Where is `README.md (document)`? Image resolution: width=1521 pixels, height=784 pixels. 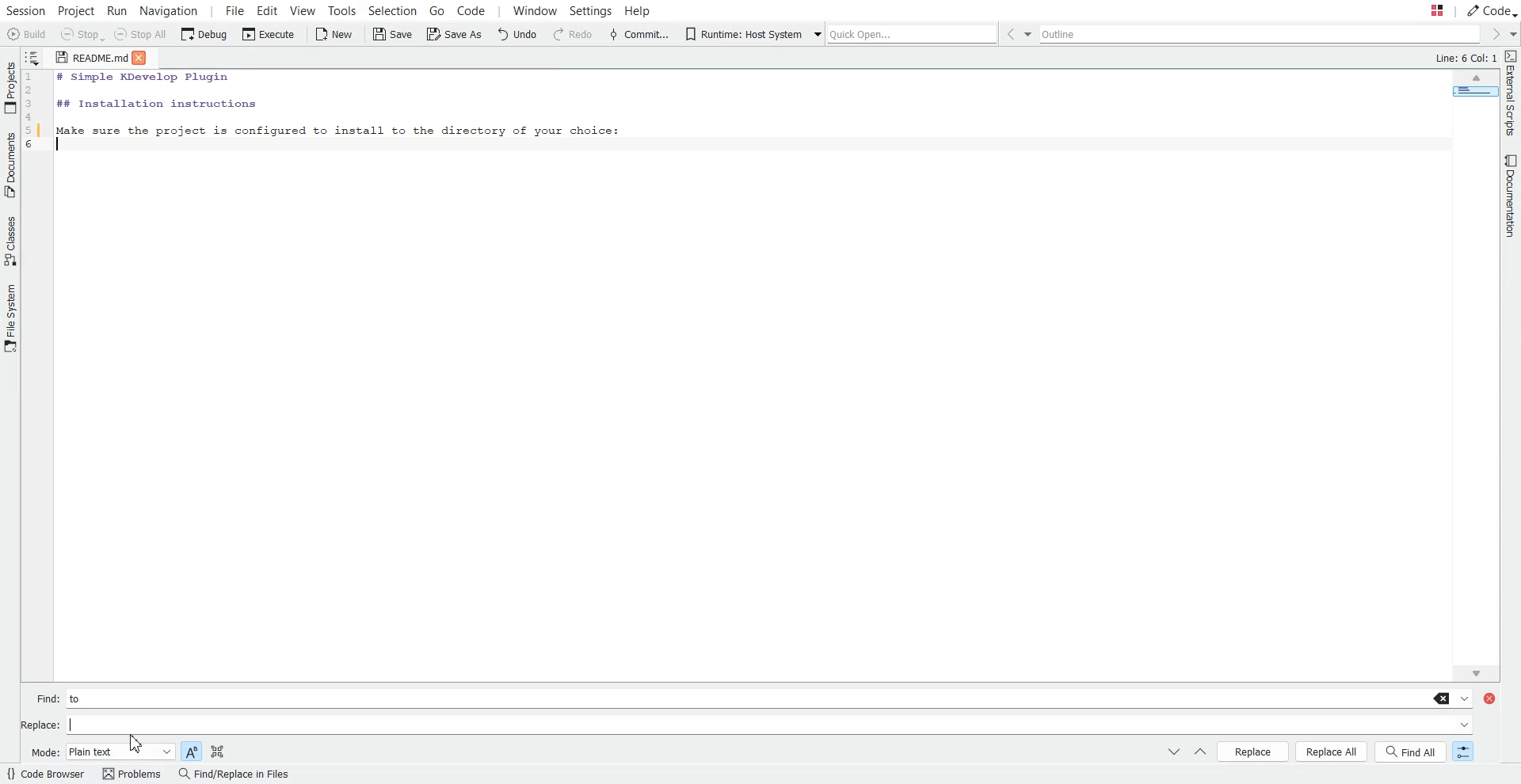
README.md (document) is located at coordinates (91, 59).